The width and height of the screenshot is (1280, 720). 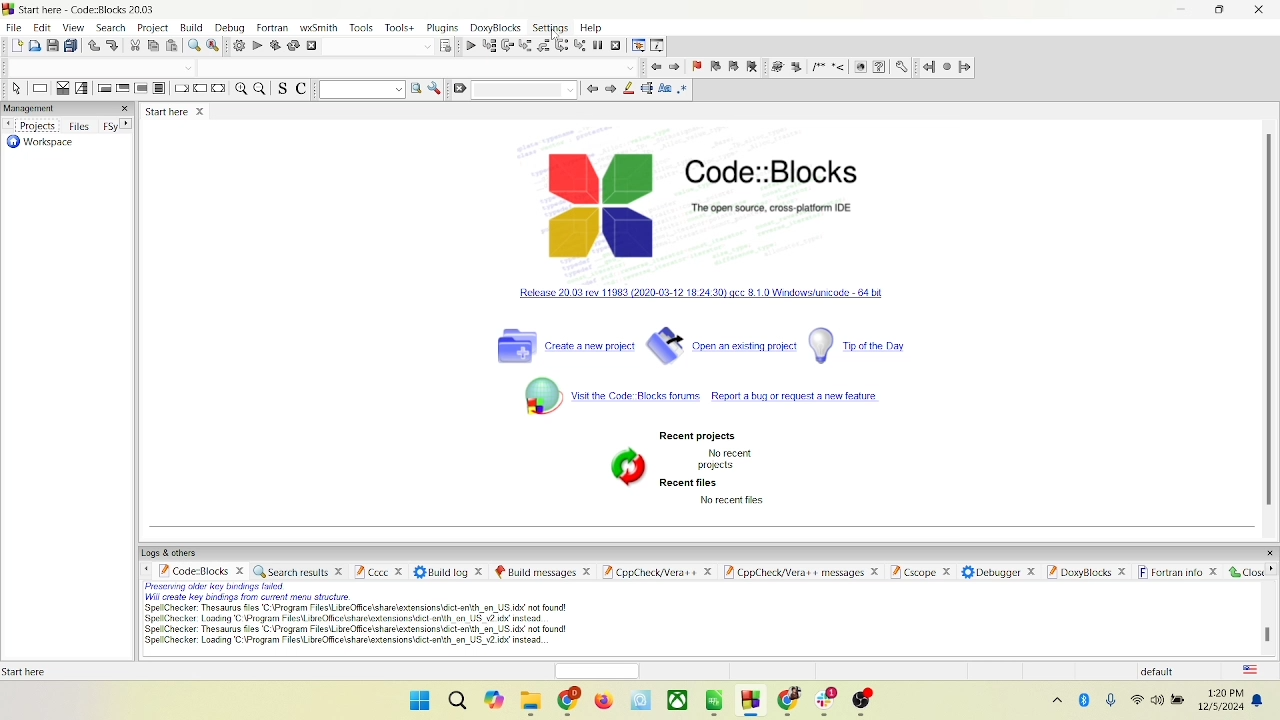 What do you see at coordinates (715, 67) in the screenshot?
I see `prev bookmark` at bounding box center [715, 67].